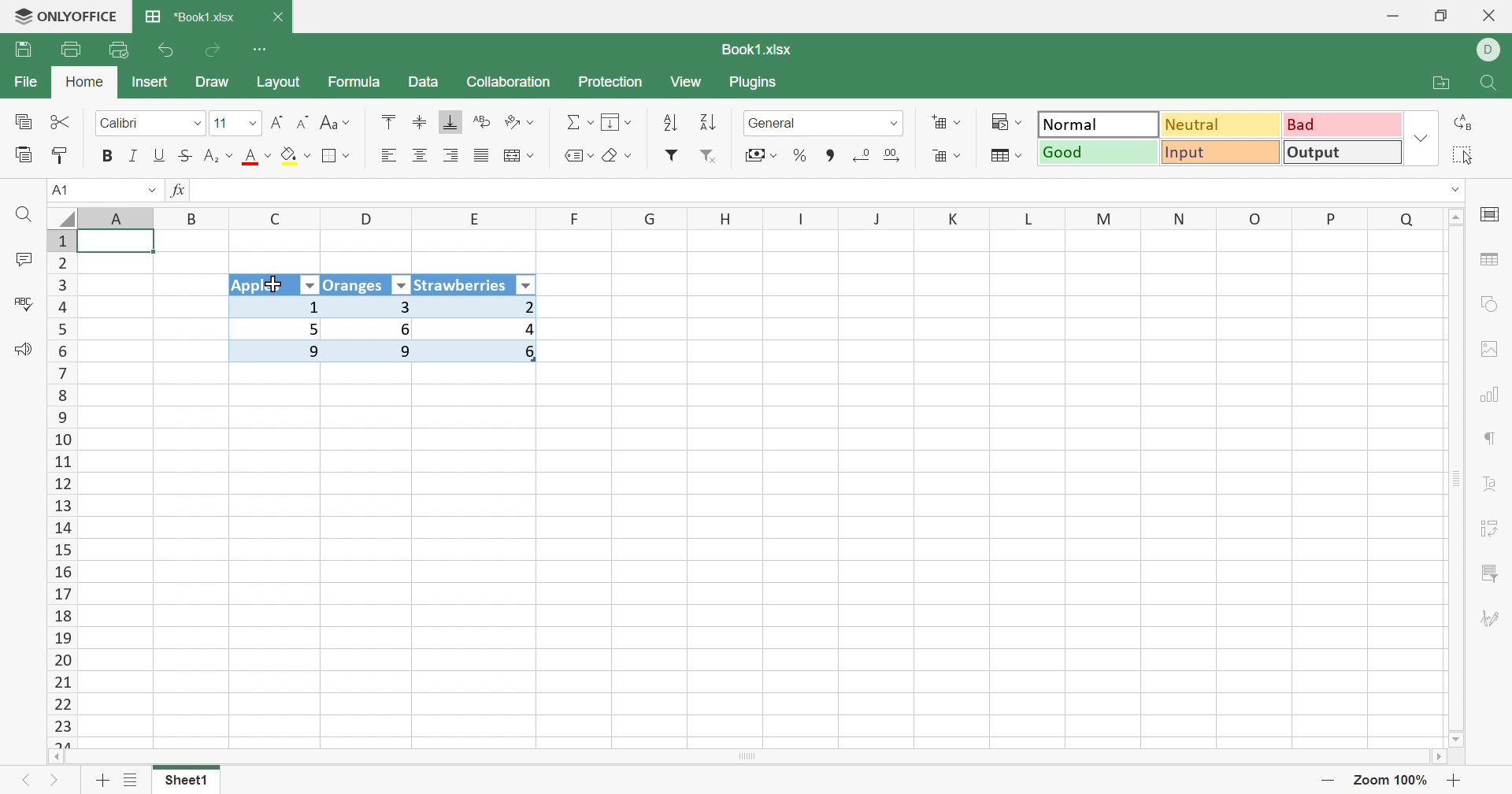 This screenshot has width=1512, height=794. What do you see at coordinates (271, 284) in the screenshot?
I see `Cursor` at bounding box center [271, 284].